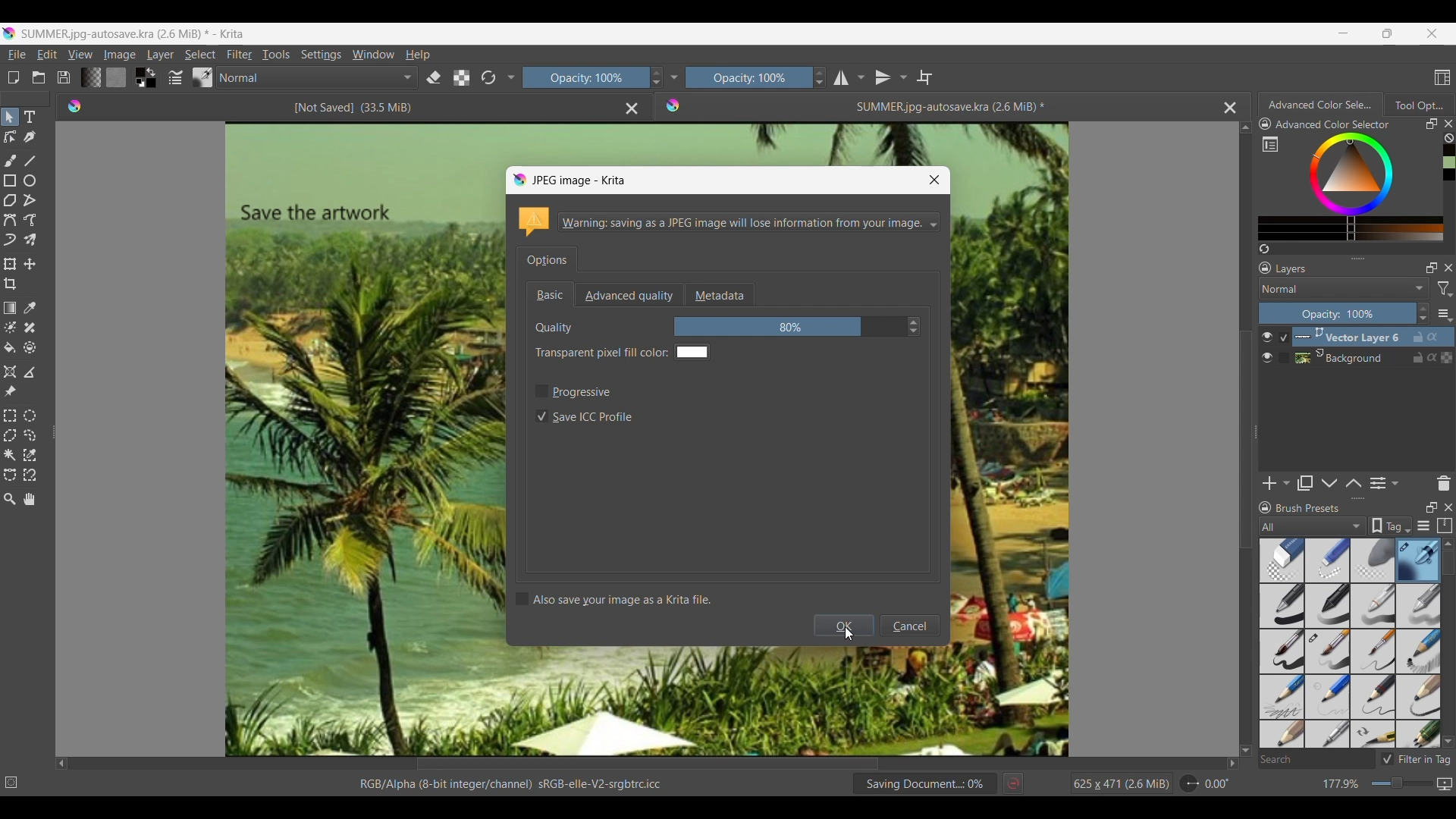 Image resolution: width=1456 pixels, height=819 pixels. What do you see at coordinates (934, 180) in the screenshot?
I see `Close window` at bounding box center [934, 180].